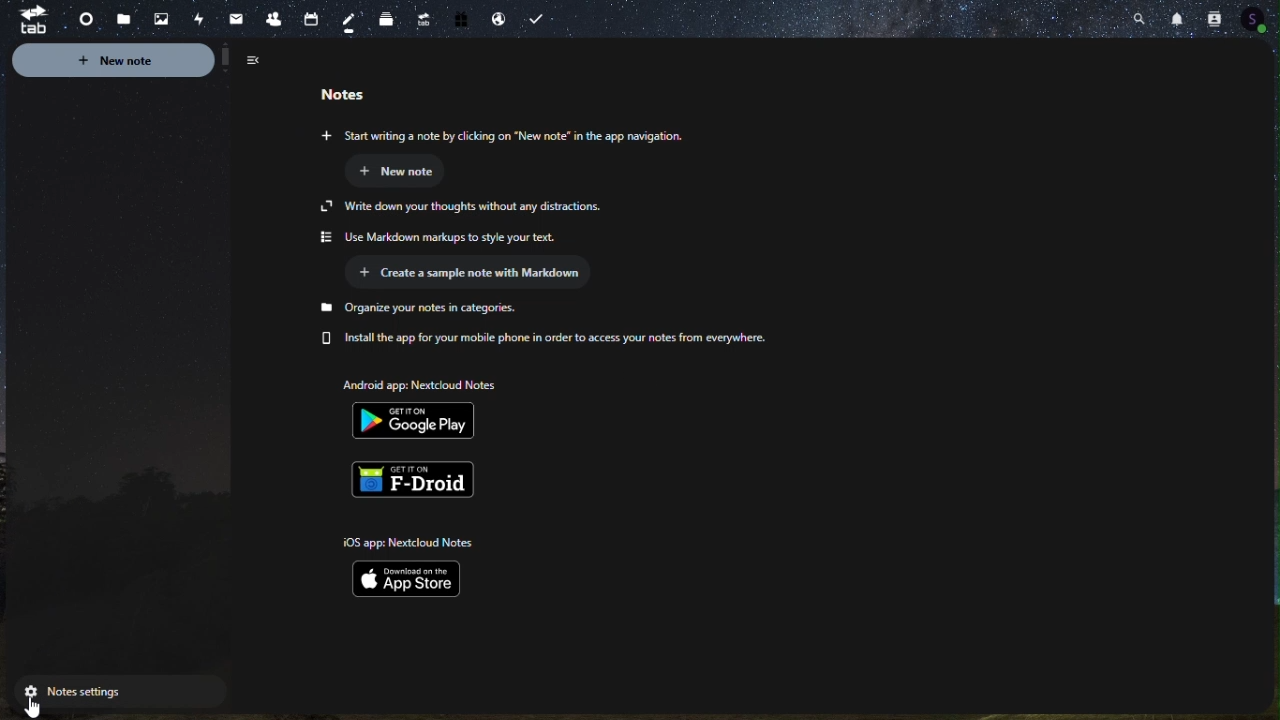  Describe the element at coordinates (355, 88) in the screenshot. I see `note` at that location.